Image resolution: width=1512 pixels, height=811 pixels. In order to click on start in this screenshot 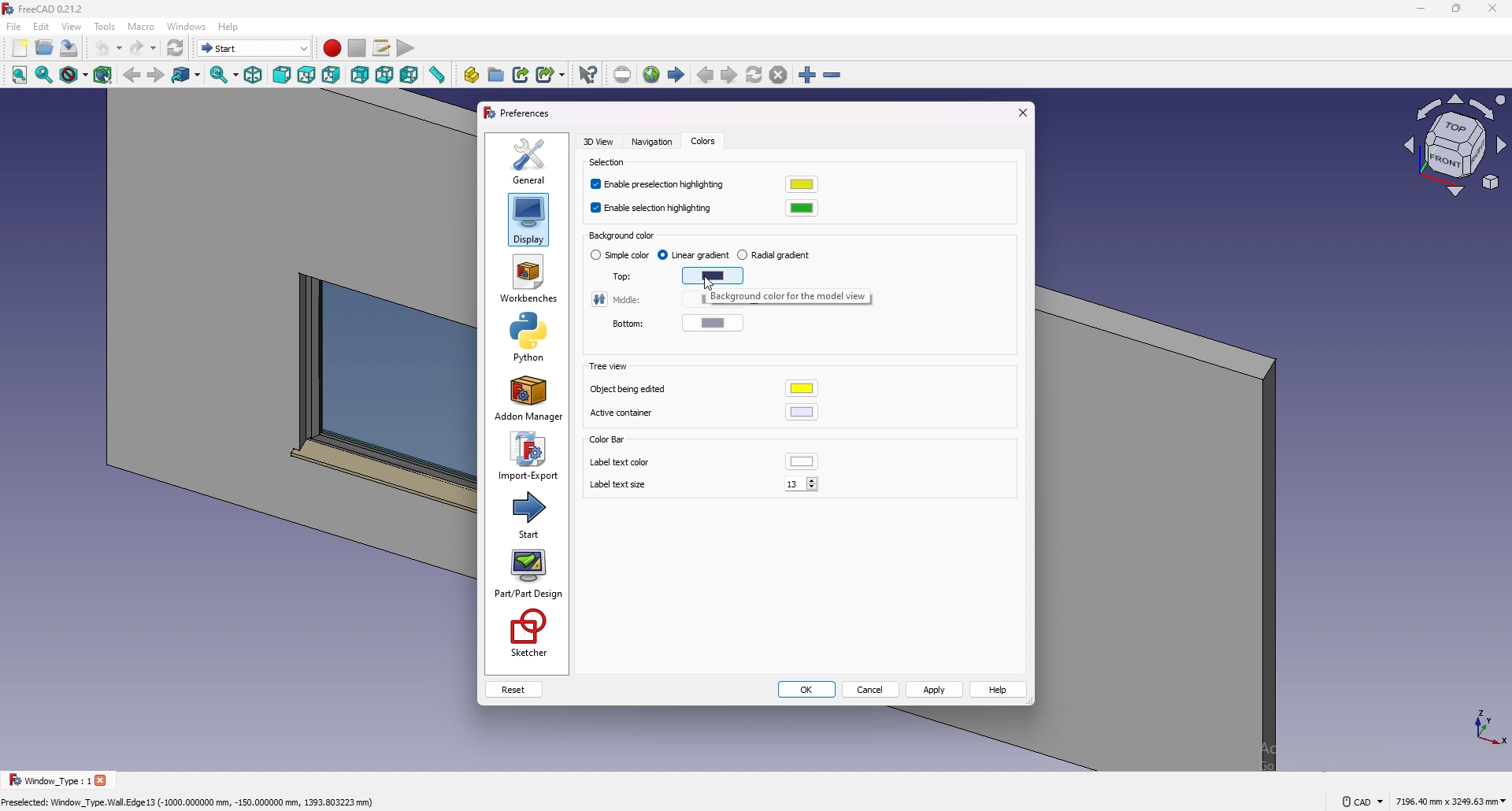, I will do `click(530, 513)`.